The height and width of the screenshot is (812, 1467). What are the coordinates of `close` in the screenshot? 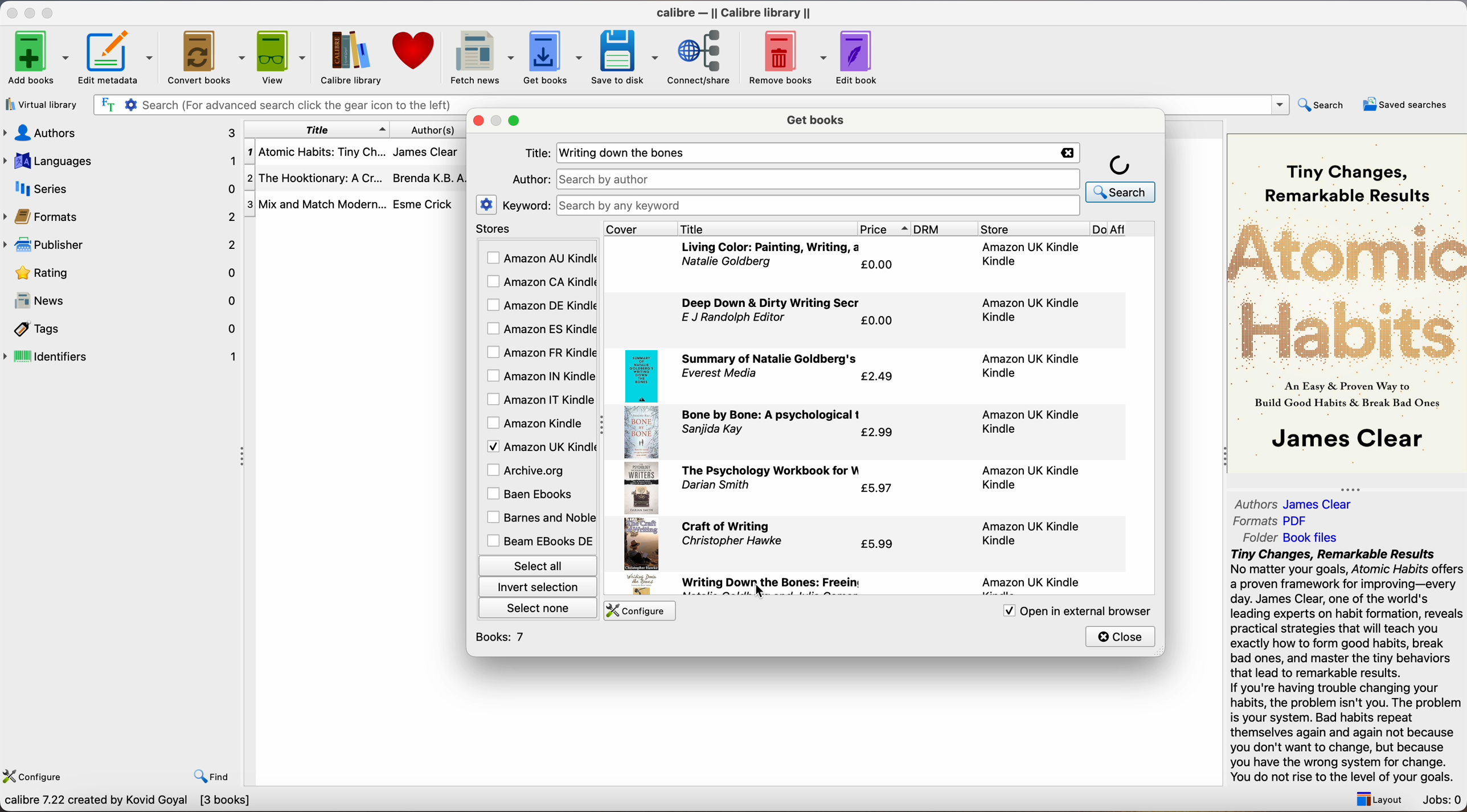 It's located at (1121, 636).